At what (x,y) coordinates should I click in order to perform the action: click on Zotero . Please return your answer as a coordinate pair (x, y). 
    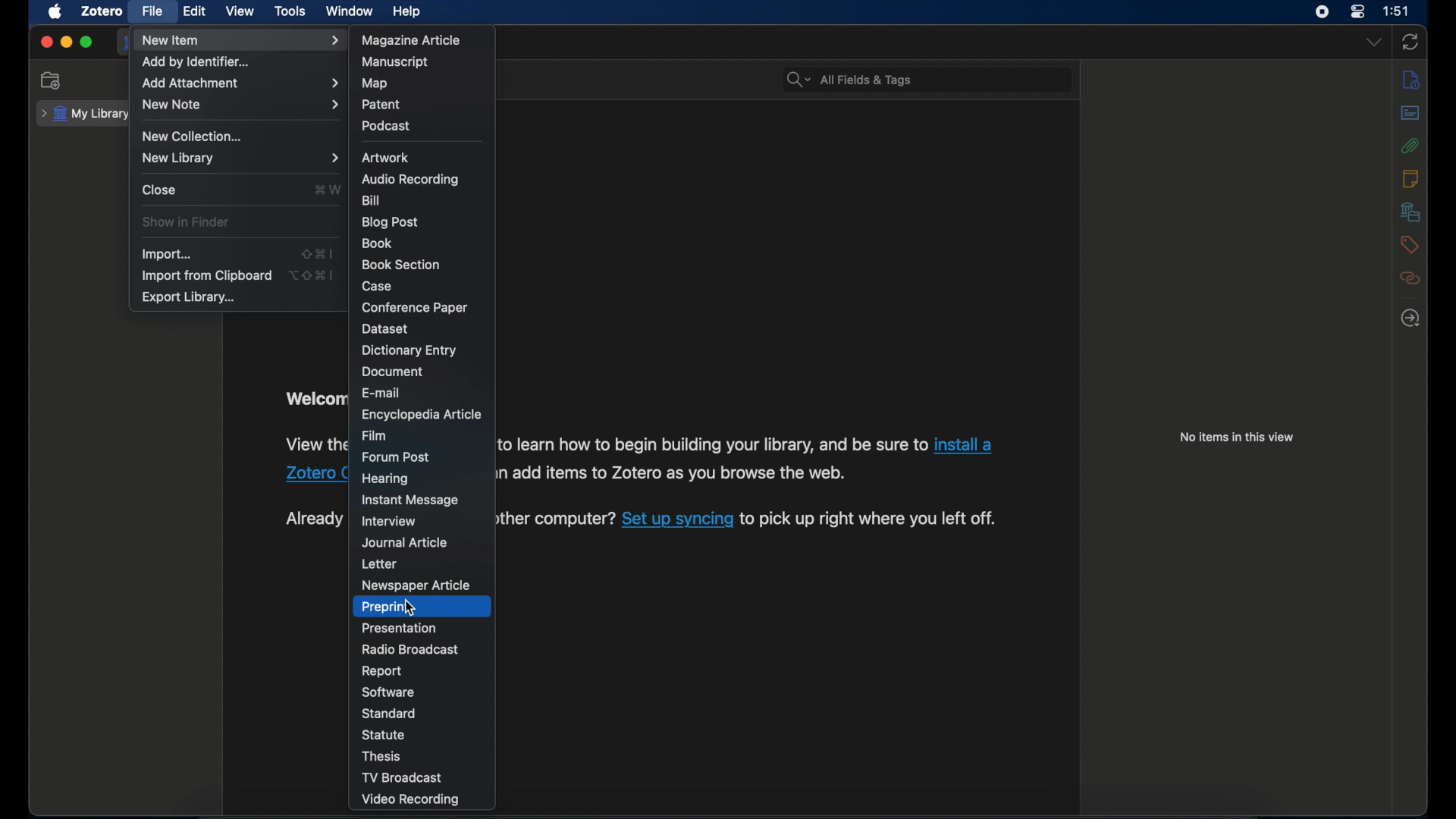
    Looking at the image, I should click on (312, 472).